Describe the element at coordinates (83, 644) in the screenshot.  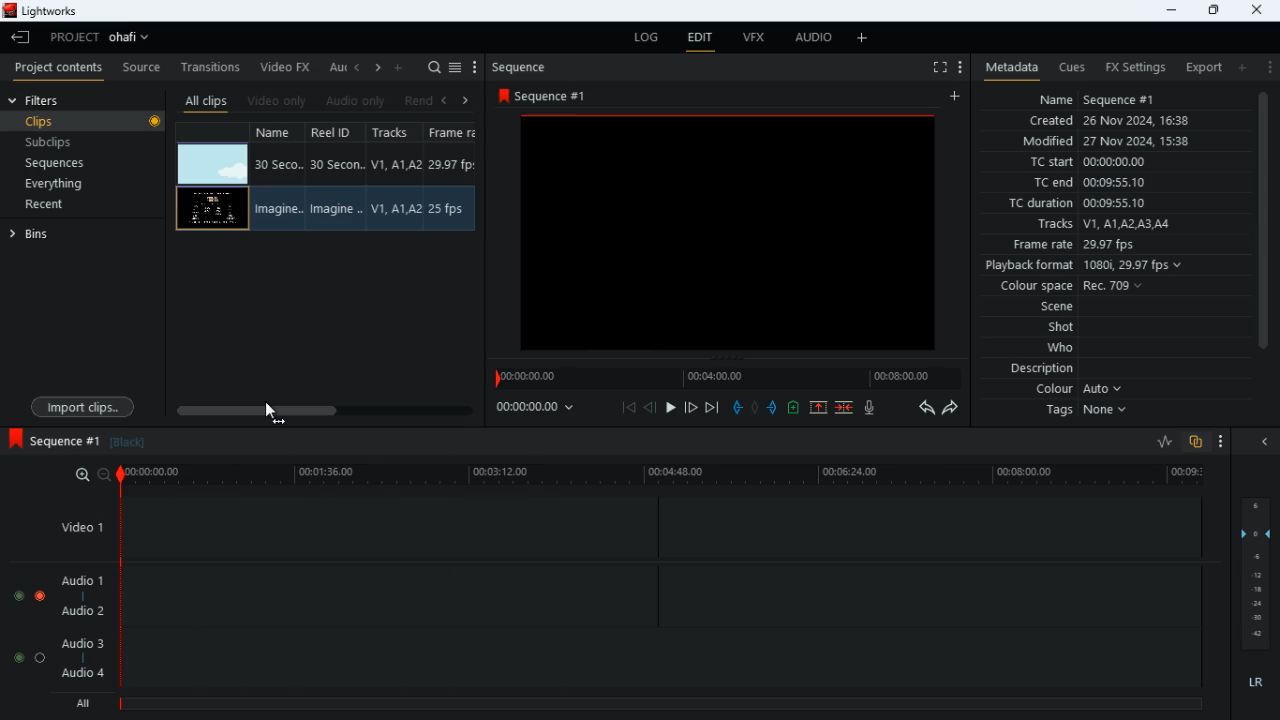
I see `audio 3` at that location.